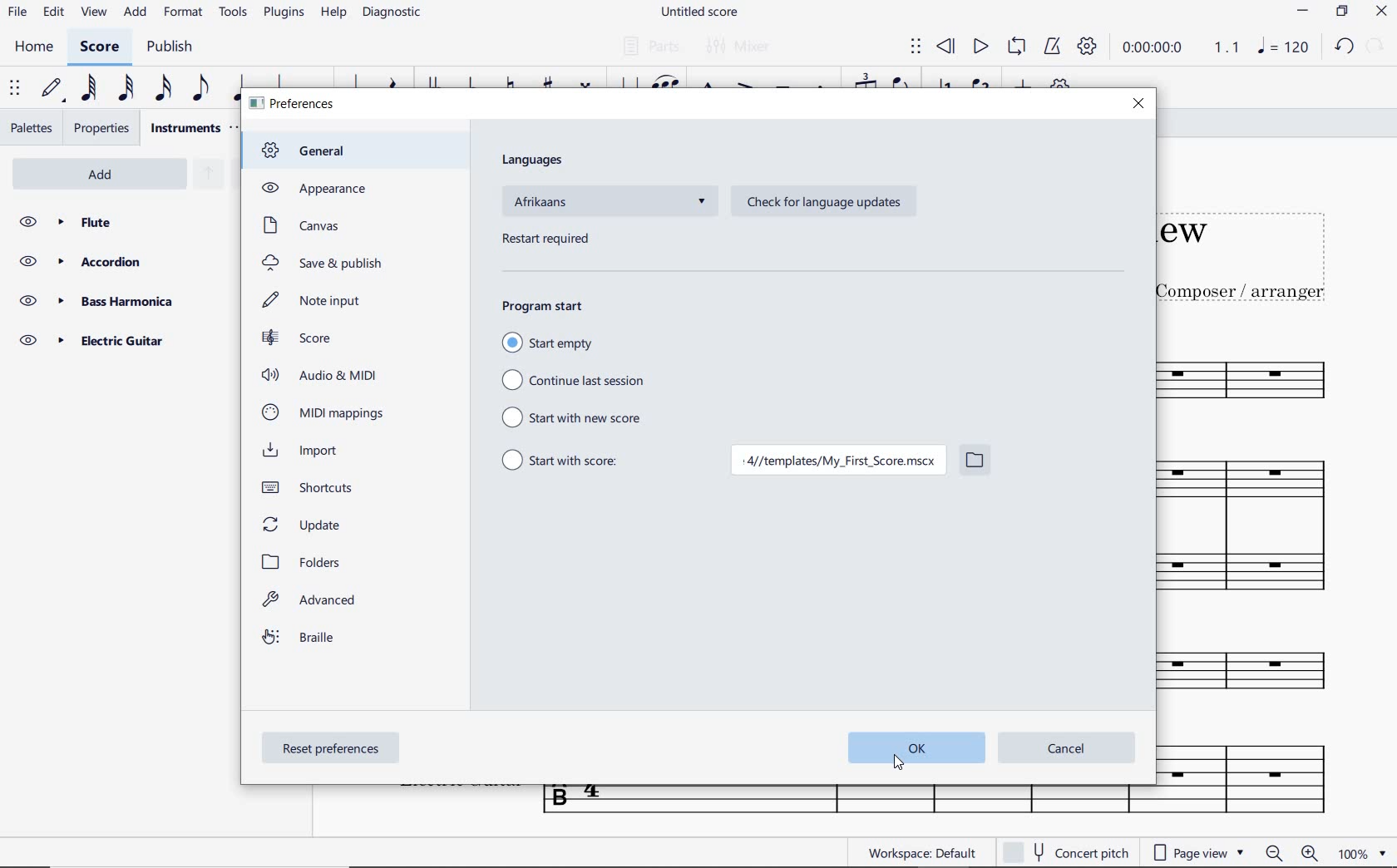 The image size is (1397, 868). Describe the element at coordinates (312, 188) in the screenshot. I see `appearance` at that location.